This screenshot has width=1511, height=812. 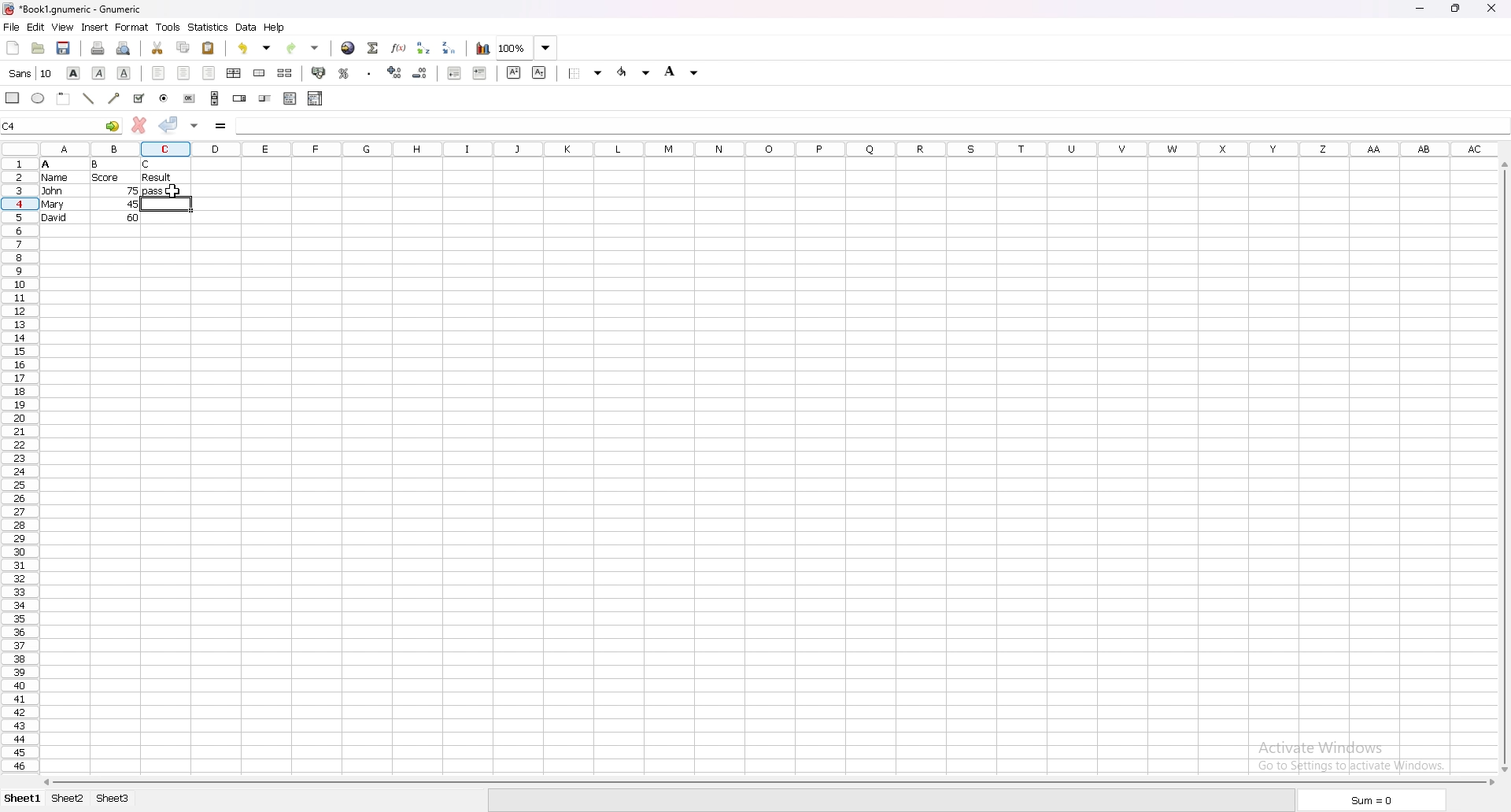 What do you see at coordinates (286, 73) in the screenshot?
I see `split merged cell` at bounding box center [286, 73].